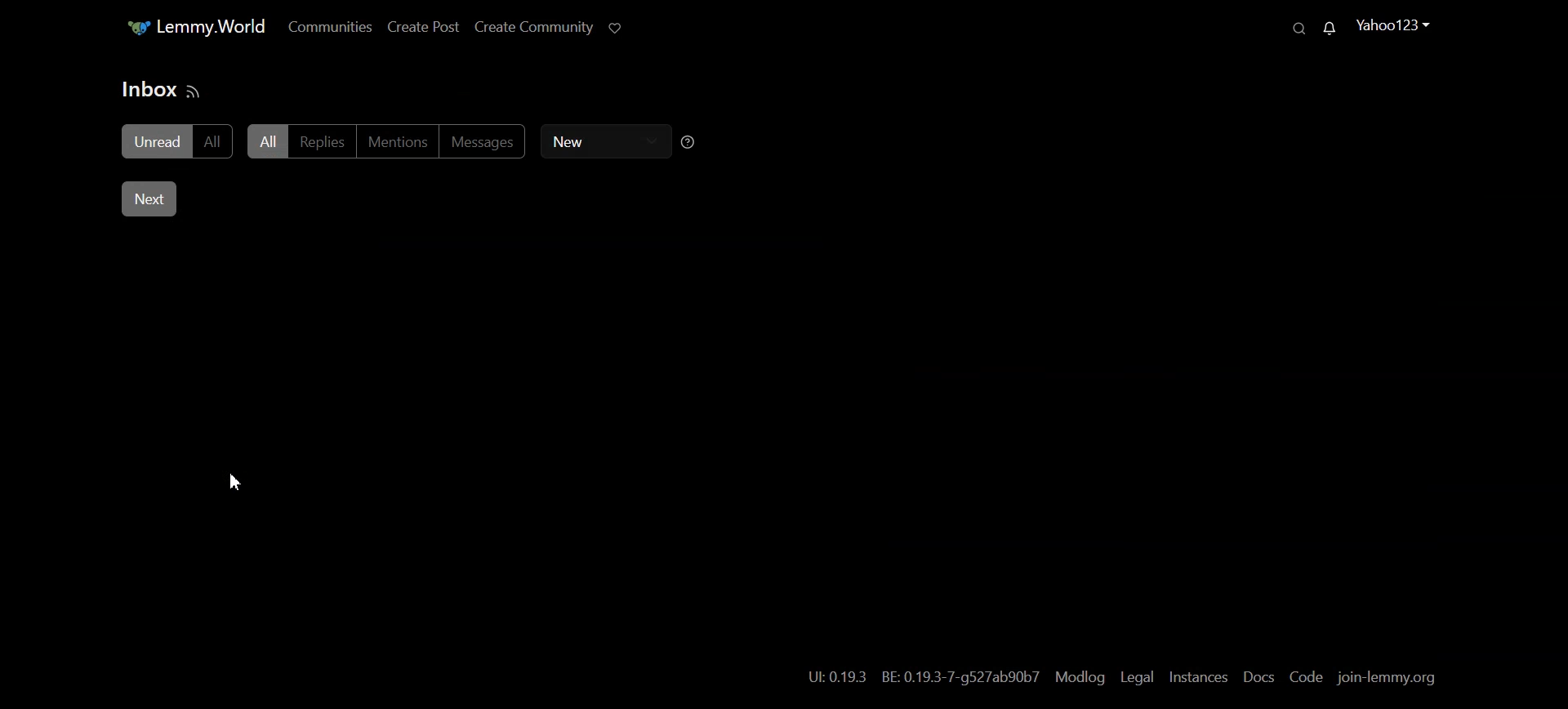 The height and width of the screenshot is (709, 1568). What do you see at coordinates (1258, 677) in the screenshot?
I see `Docs` at bounding box center [1258, 677].